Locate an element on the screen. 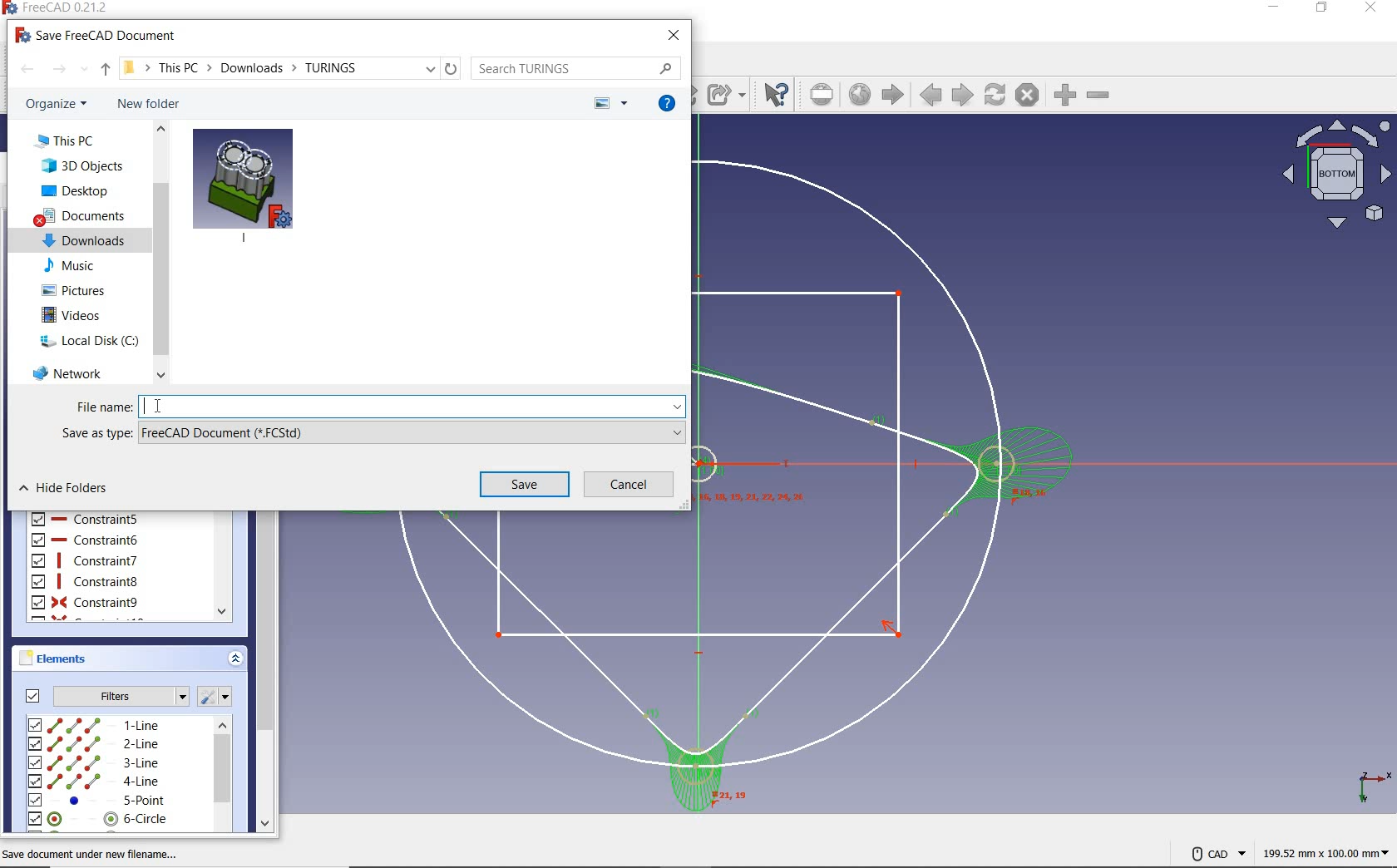 The width and height of the screenshot is (1397, 868). music is located at coordinates (68, 265).